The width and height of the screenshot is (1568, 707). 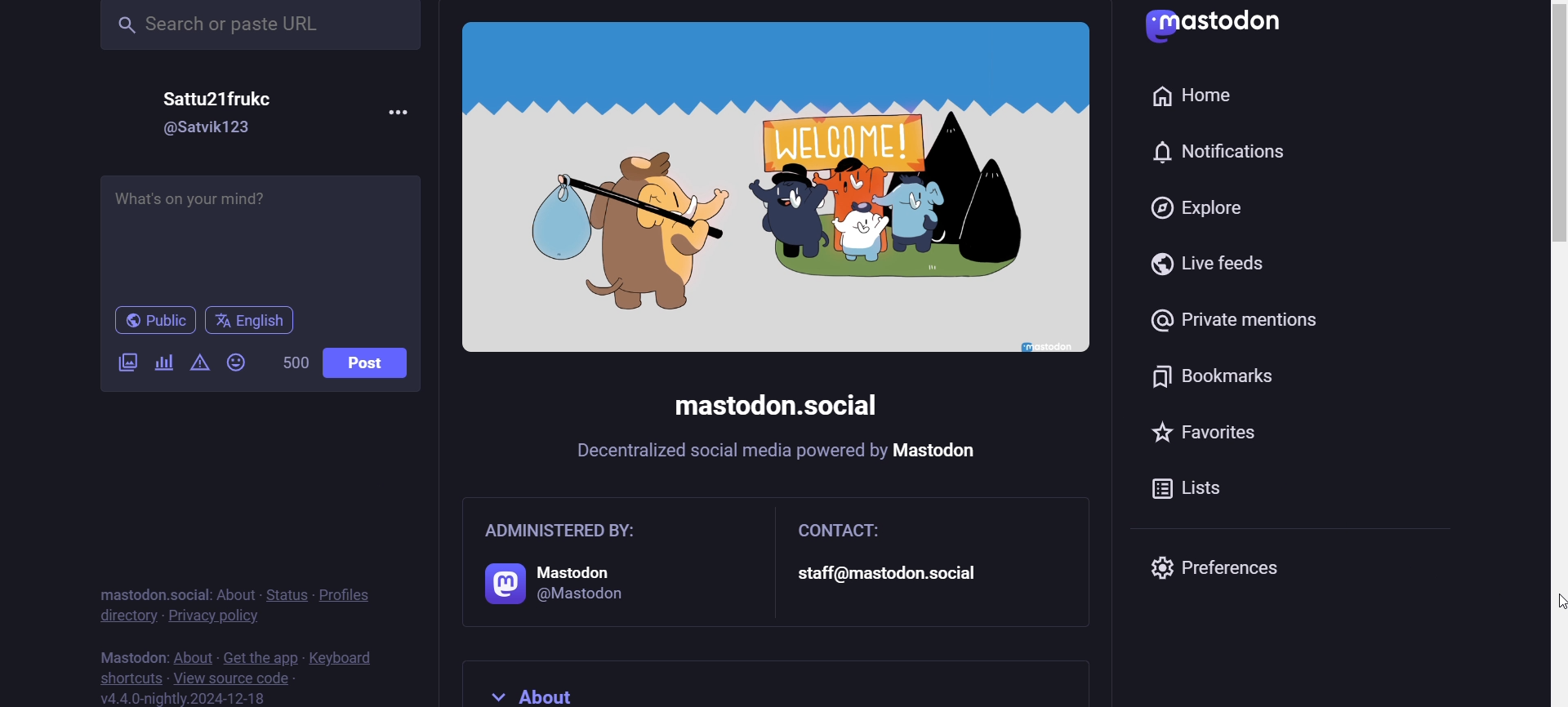 What do you see at coordinates (290, 363) in the screenshot?
I see `word limit` at bounding box center [290, 363].